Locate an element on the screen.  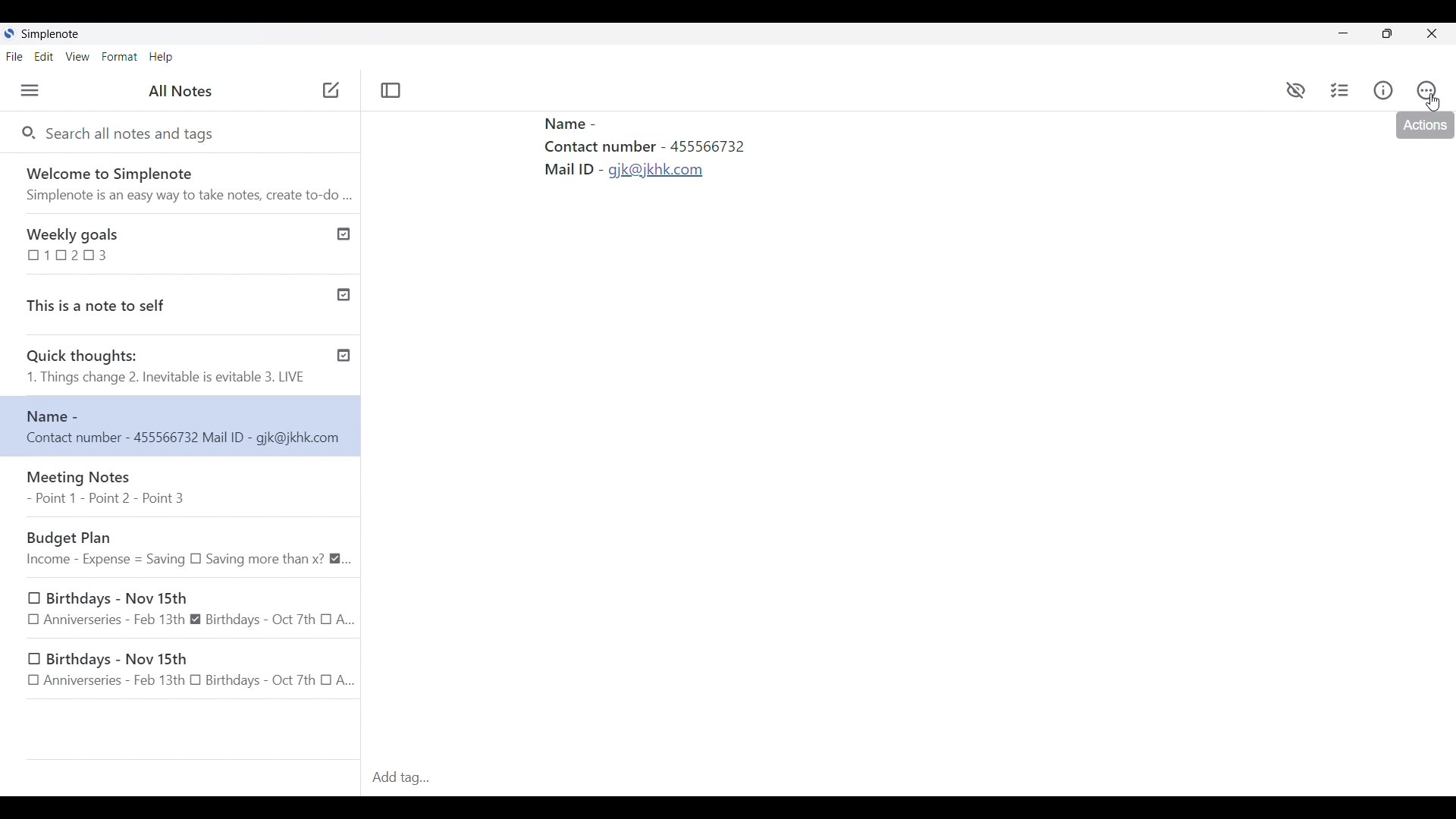
Birthdays - Nov 15th is located at coordinates (184, 671).